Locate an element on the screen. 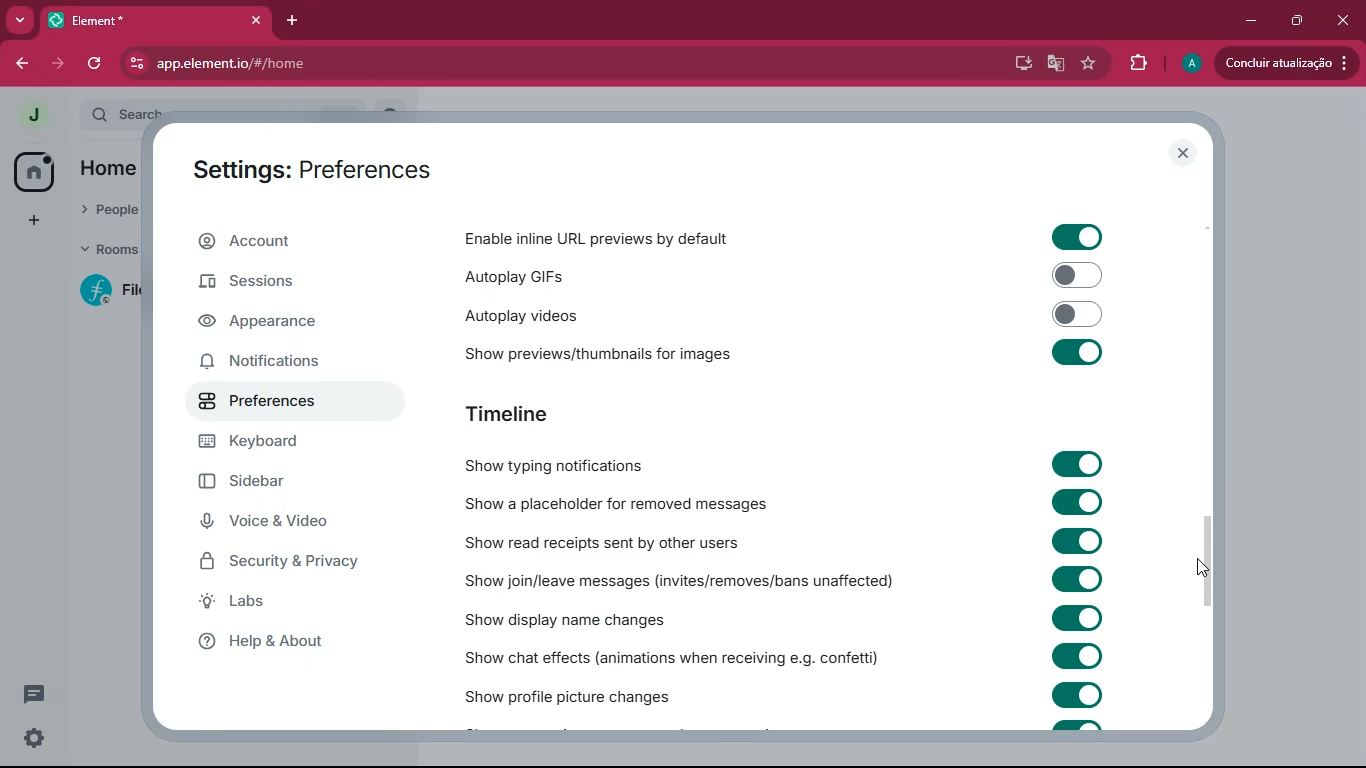 This screenshot has height=768, width=1366. home is located at coordinates (108, 170).